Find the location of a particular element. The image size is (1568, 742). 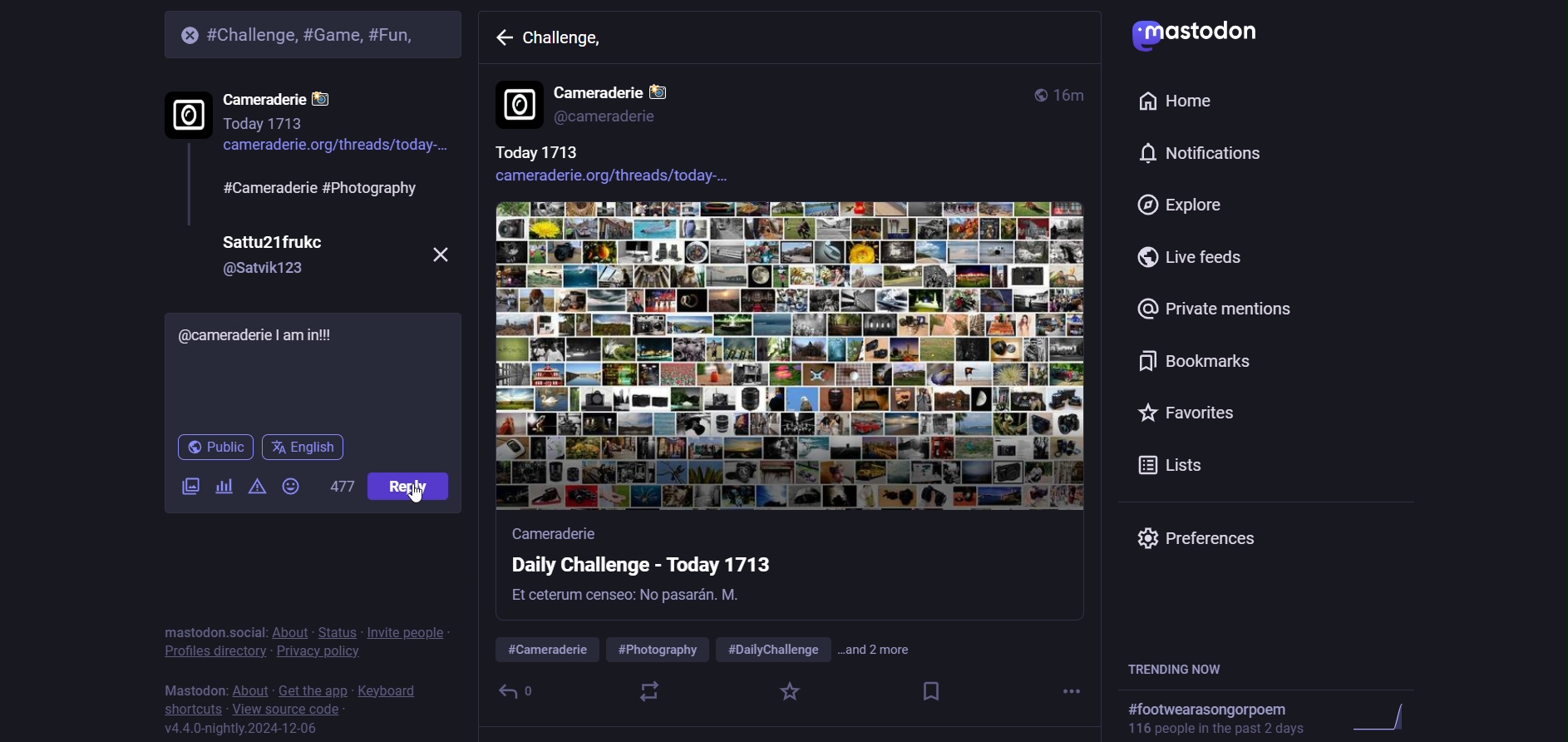

about is located at coordinates (288, 631).